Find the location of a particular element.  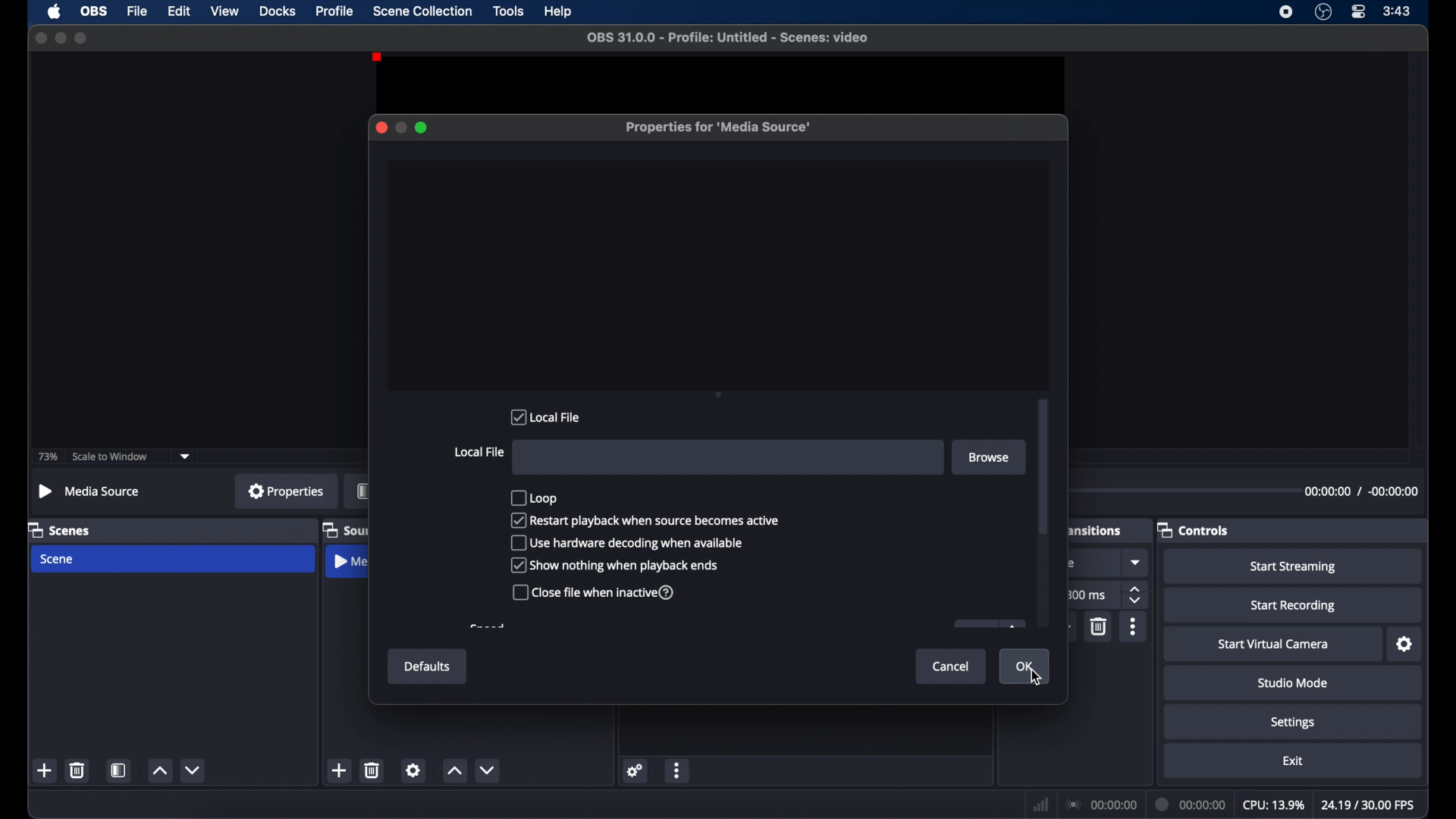

00:00:00 is located at coordinates (1103, 805).